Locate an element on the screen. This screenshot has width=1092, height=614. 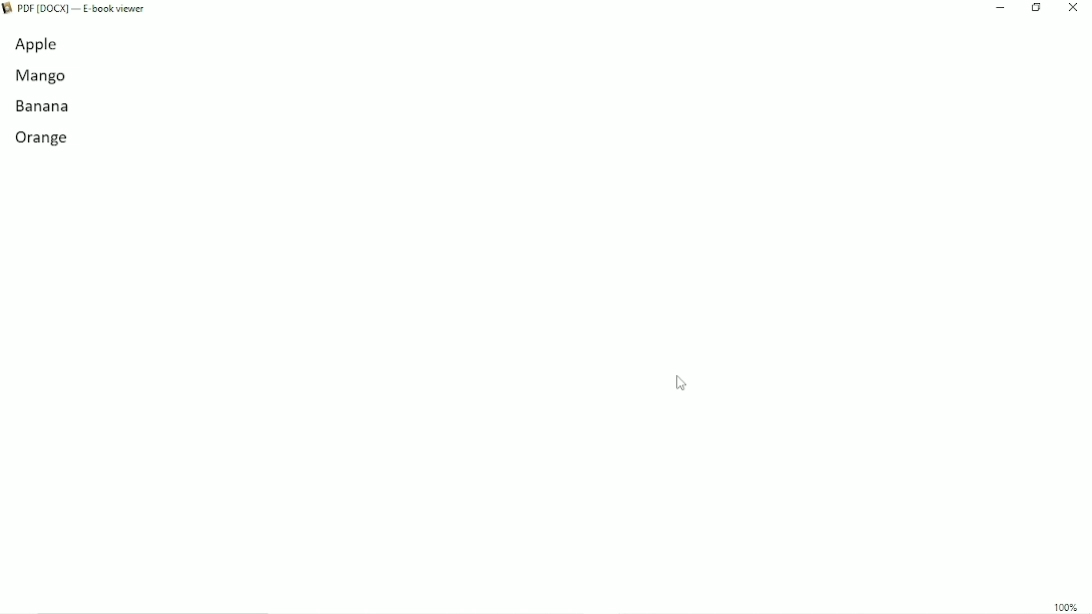
Book Title is located at coordinates (87, 8).